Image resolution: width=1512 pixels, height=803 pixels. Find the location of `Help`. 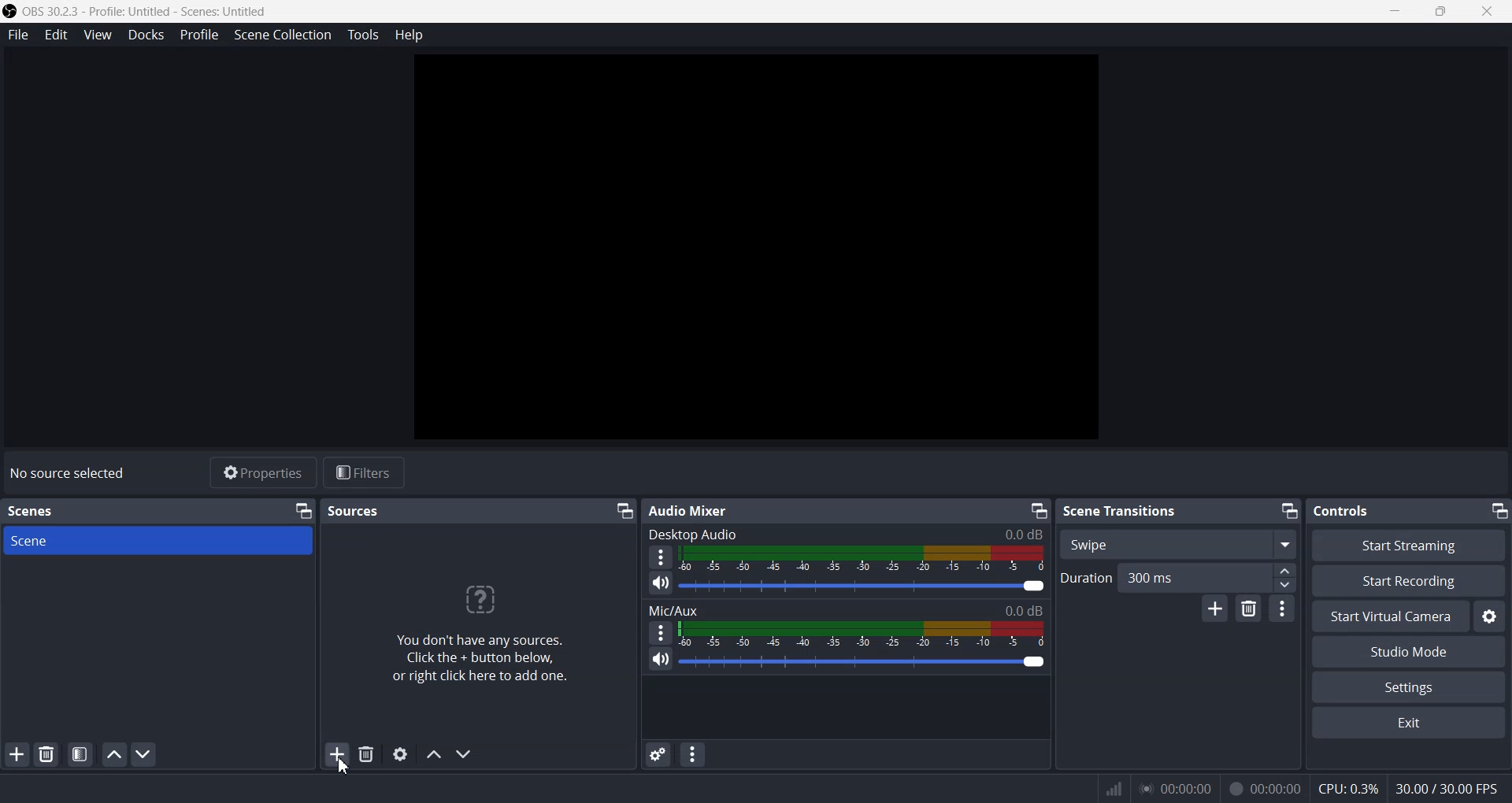

Help is located at coordinates (409, 35).